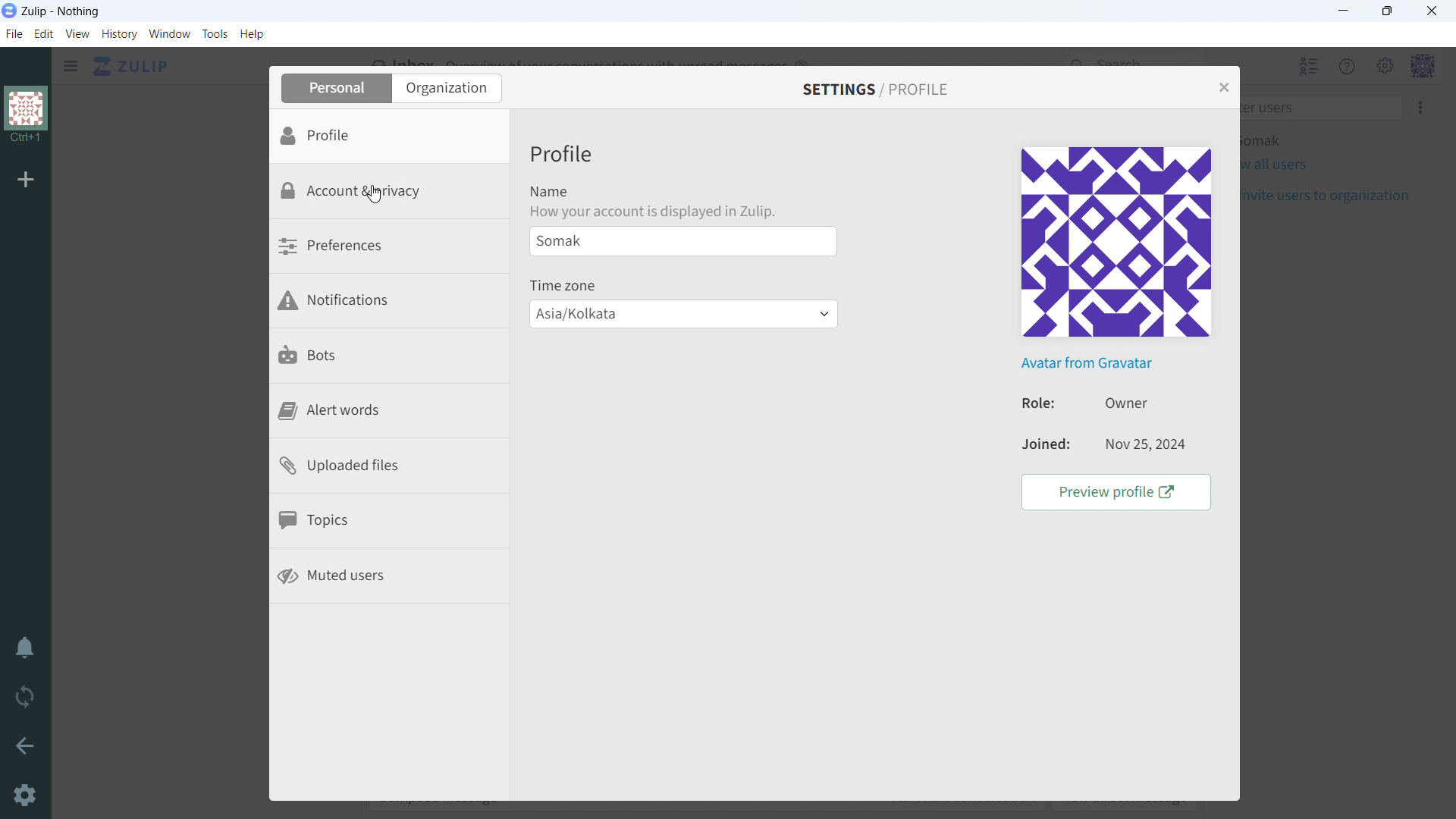 The image size is (1456, 819). I want to click on personal, so click(334, 88).